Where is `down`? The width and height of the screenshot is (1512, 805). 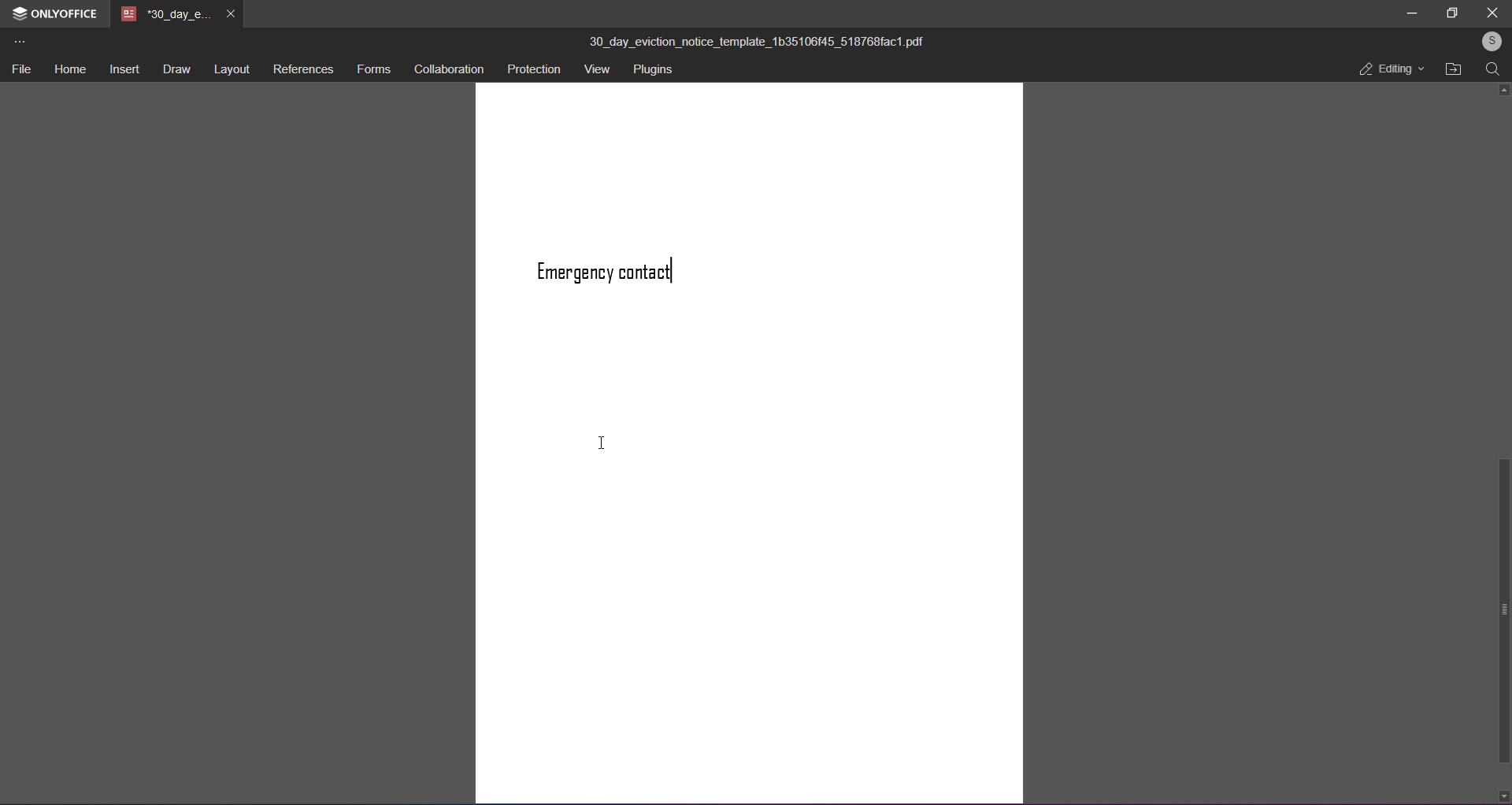
down is located at coordinates (1503, 794).